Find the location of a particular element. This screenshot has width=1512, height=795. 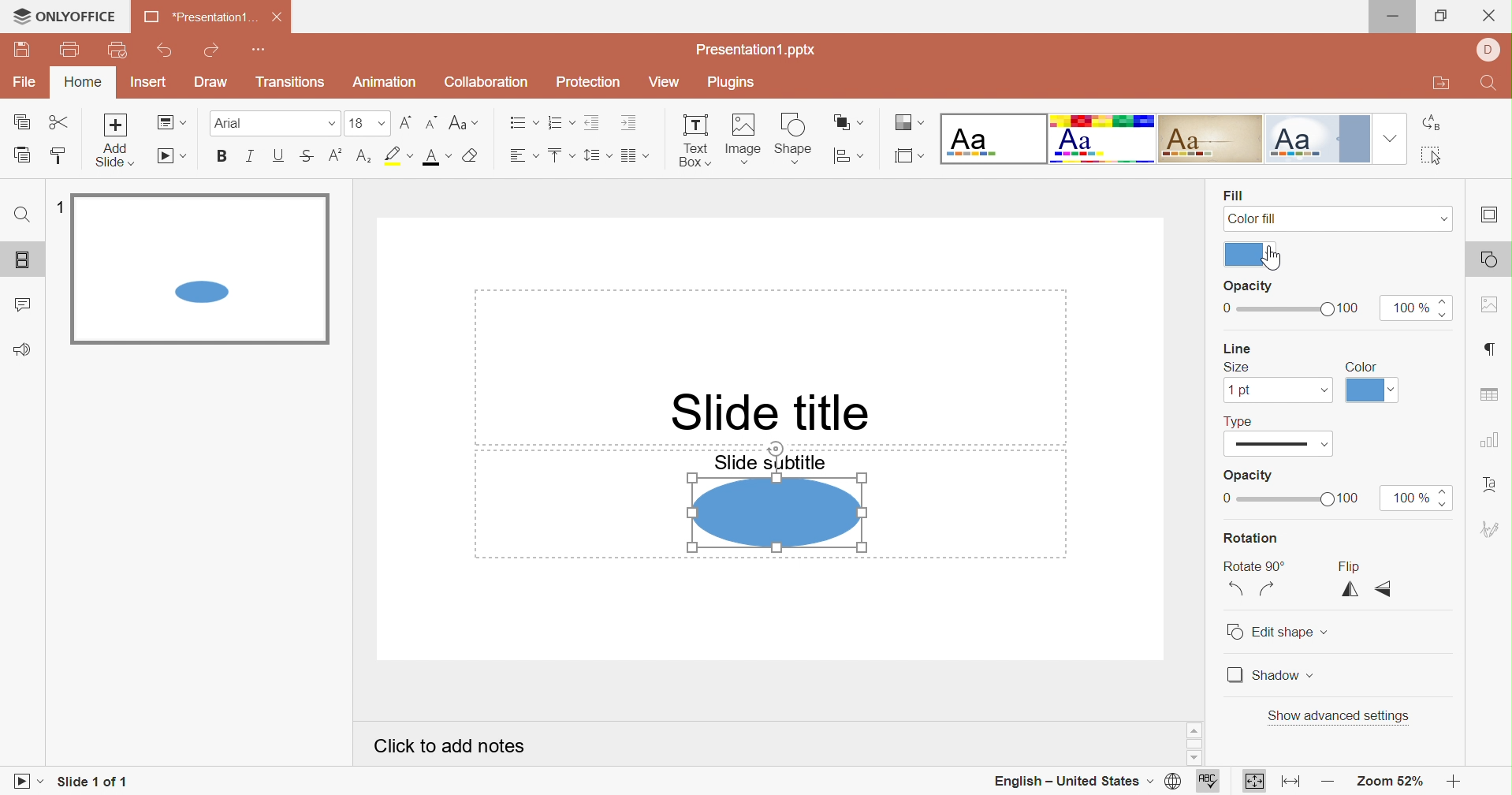

Slide 1 of 1 is located at coordinates (91, 780).